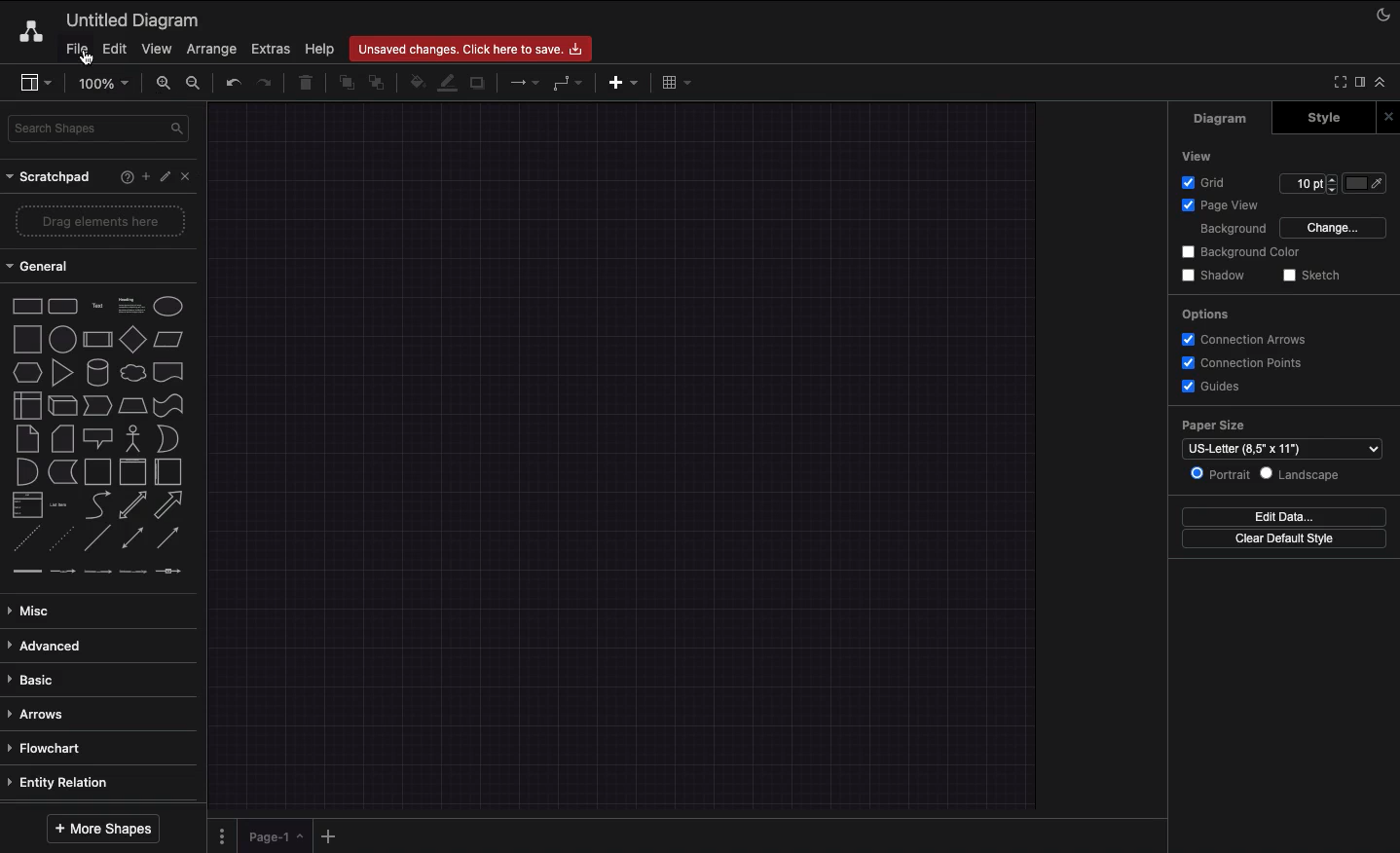  What do you see at coordinates (1312, 277) in the screenshot?
I see `Sketch ` at bounding box center [1312, 277].